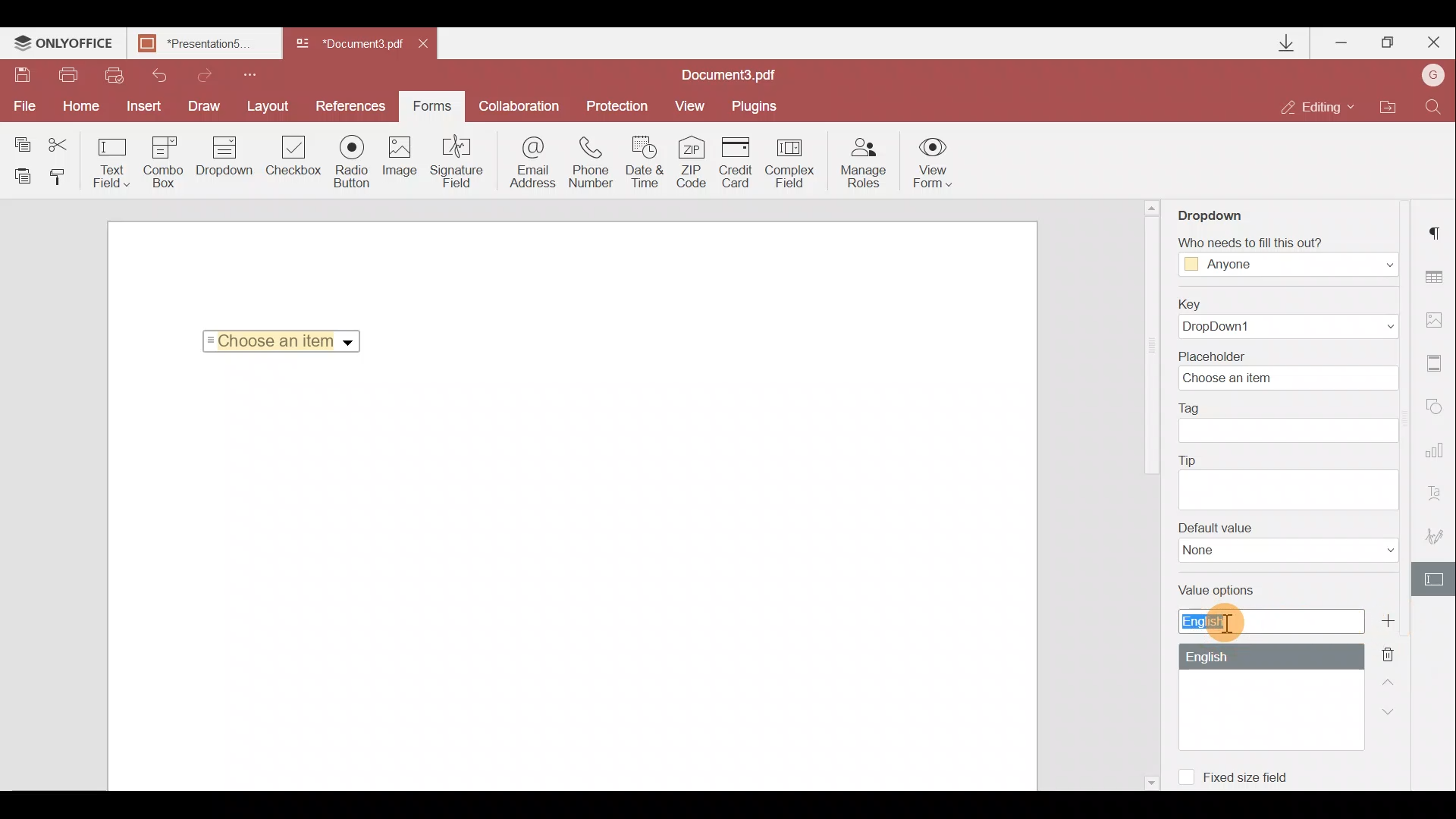 This screenshot has width=1456, height=819. What do you see at coordinates (1394, 621) in the screenshot?
I see `Add new value` at bounding box center [1394, 621].